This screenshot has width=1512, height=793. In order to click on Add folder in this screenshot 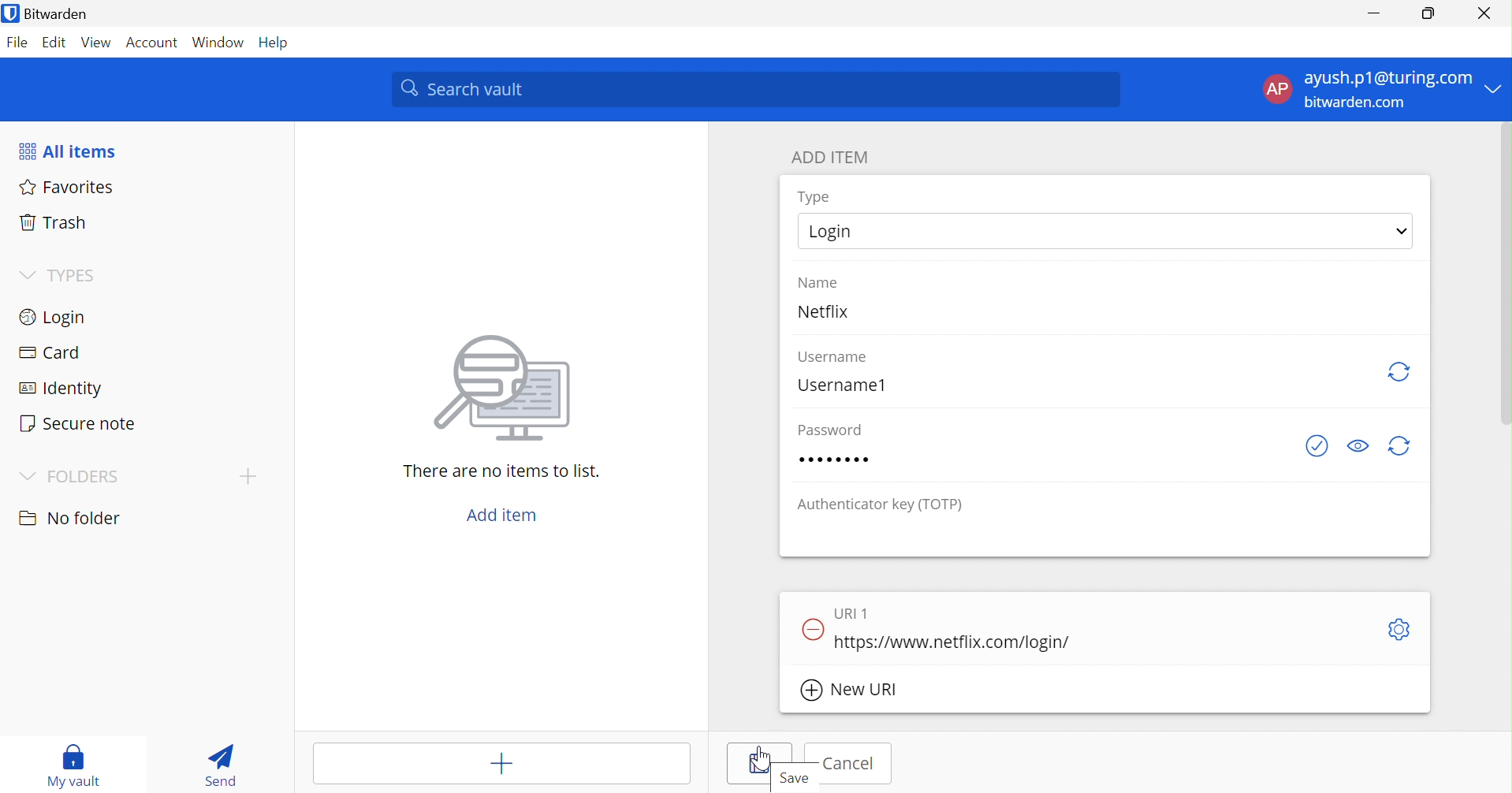, I will do `click(248, 477)`.